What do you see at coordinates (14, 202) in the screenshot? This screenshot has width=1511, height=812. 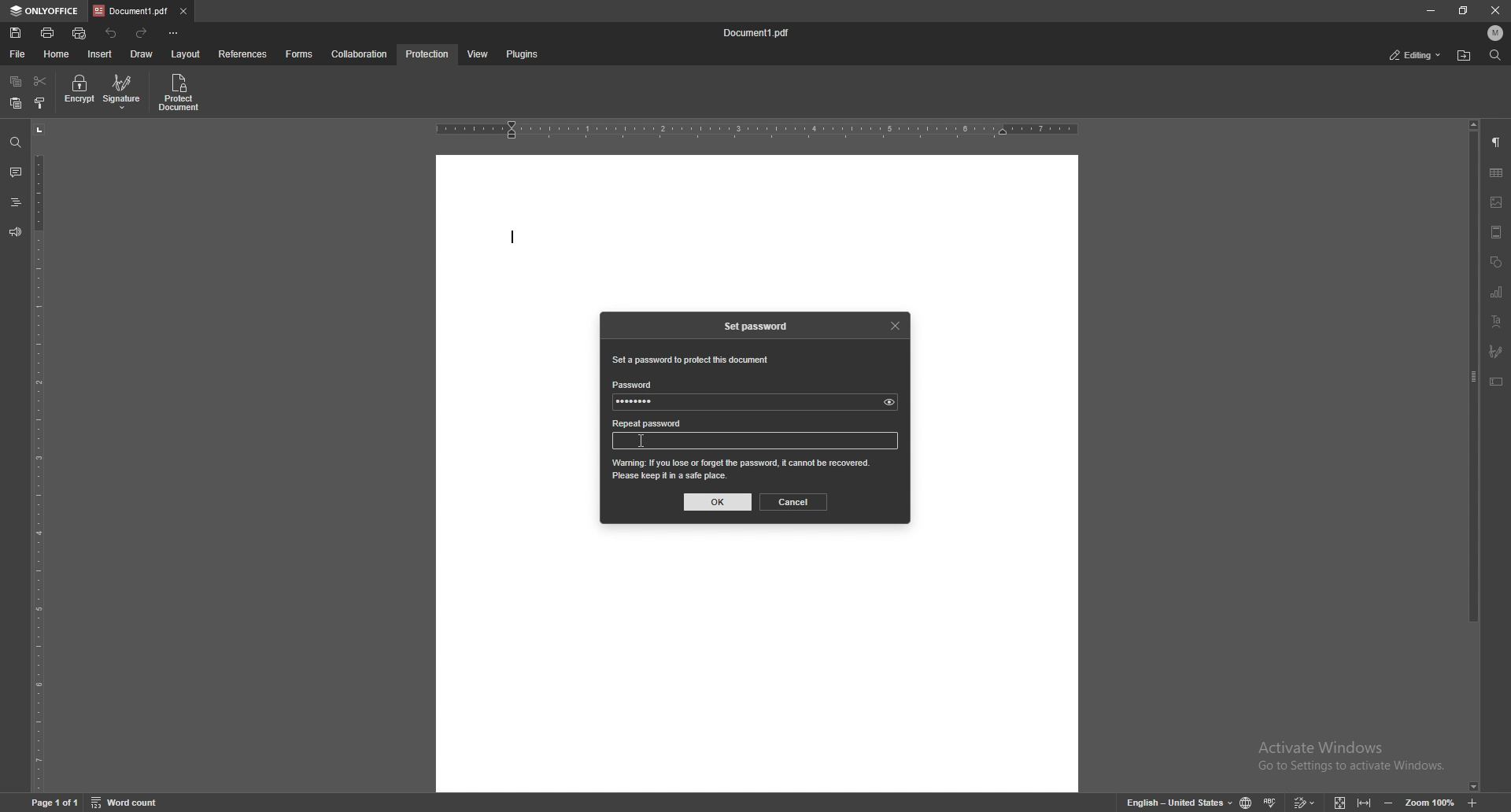 I see `headings` at bounding box center [14, 202].